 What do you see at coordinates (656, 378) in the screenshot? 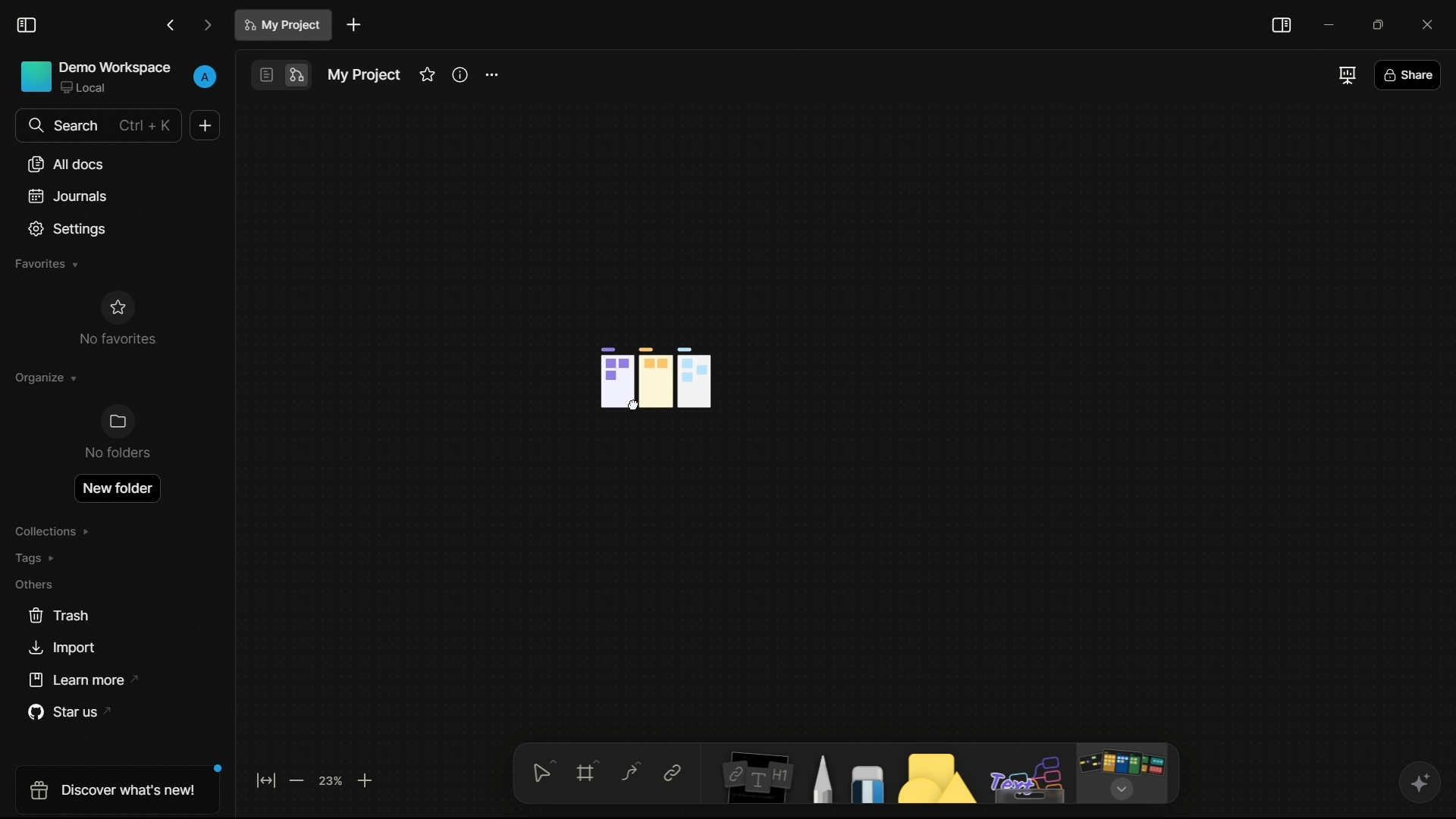
I see `project tracking kanban template` at bounding box center [656, 378].